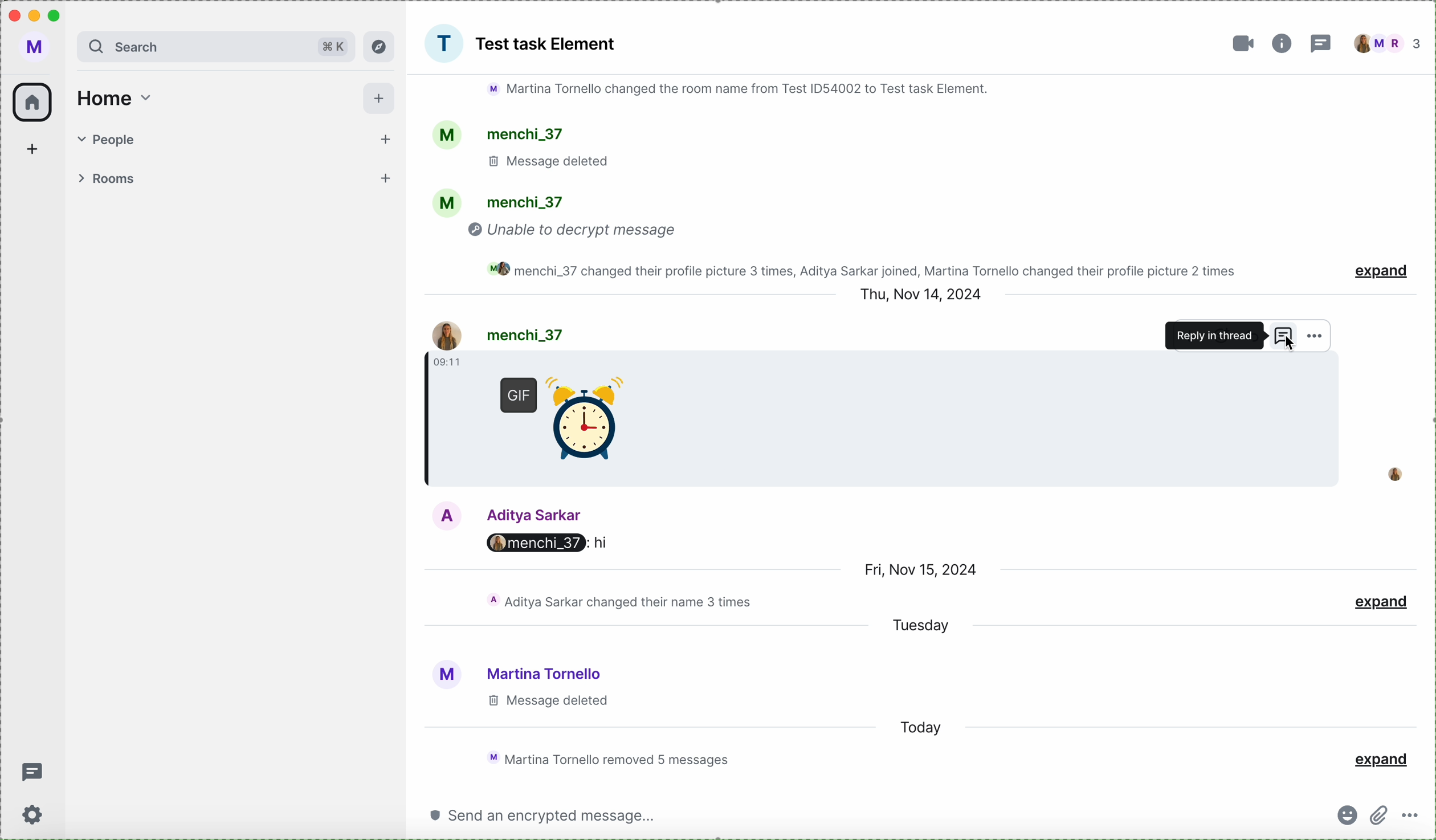 The height and width of the screenshot is (840, 1436). Describe the element at coordinates (38, 48) in the screenshot. I see `user profile` at that location.